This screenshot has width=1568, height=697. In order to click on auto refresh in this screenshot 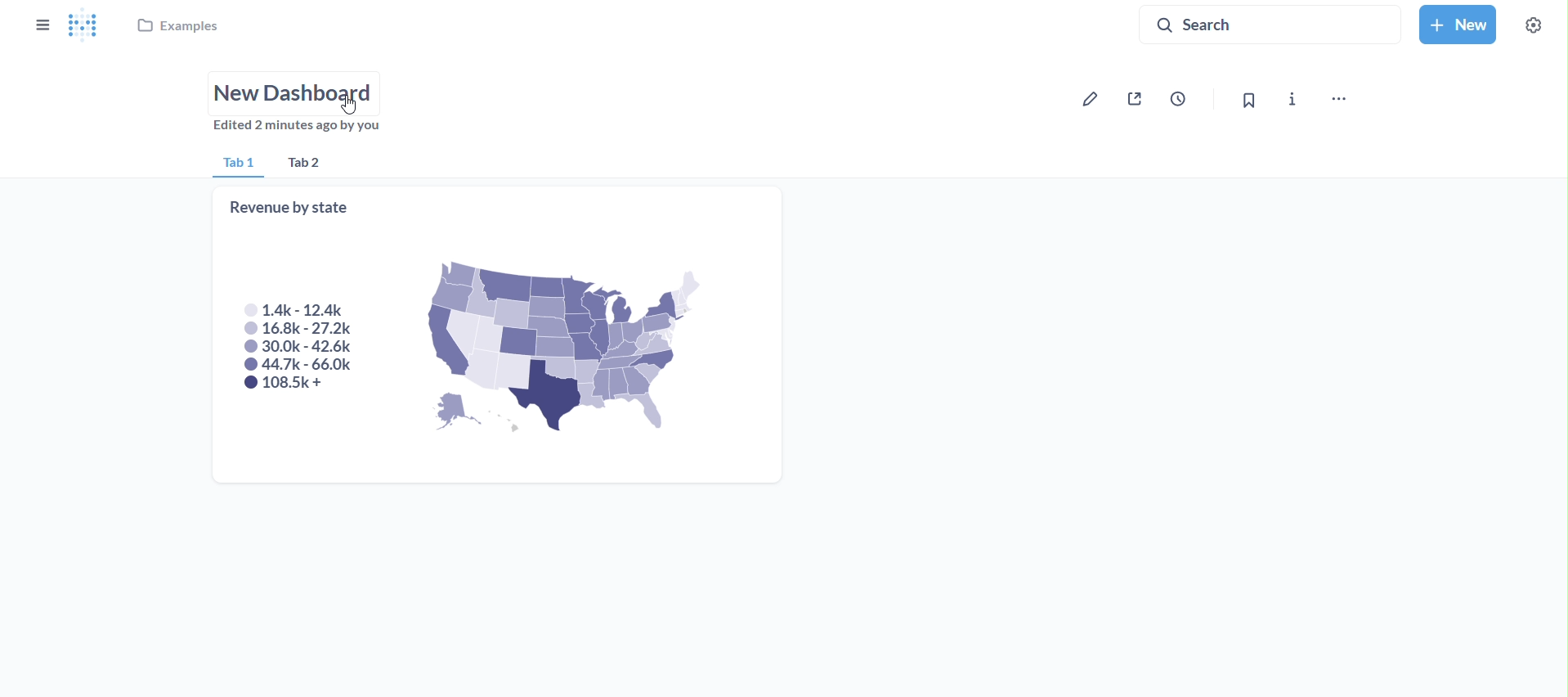, I will do `click(1185, 97)`.